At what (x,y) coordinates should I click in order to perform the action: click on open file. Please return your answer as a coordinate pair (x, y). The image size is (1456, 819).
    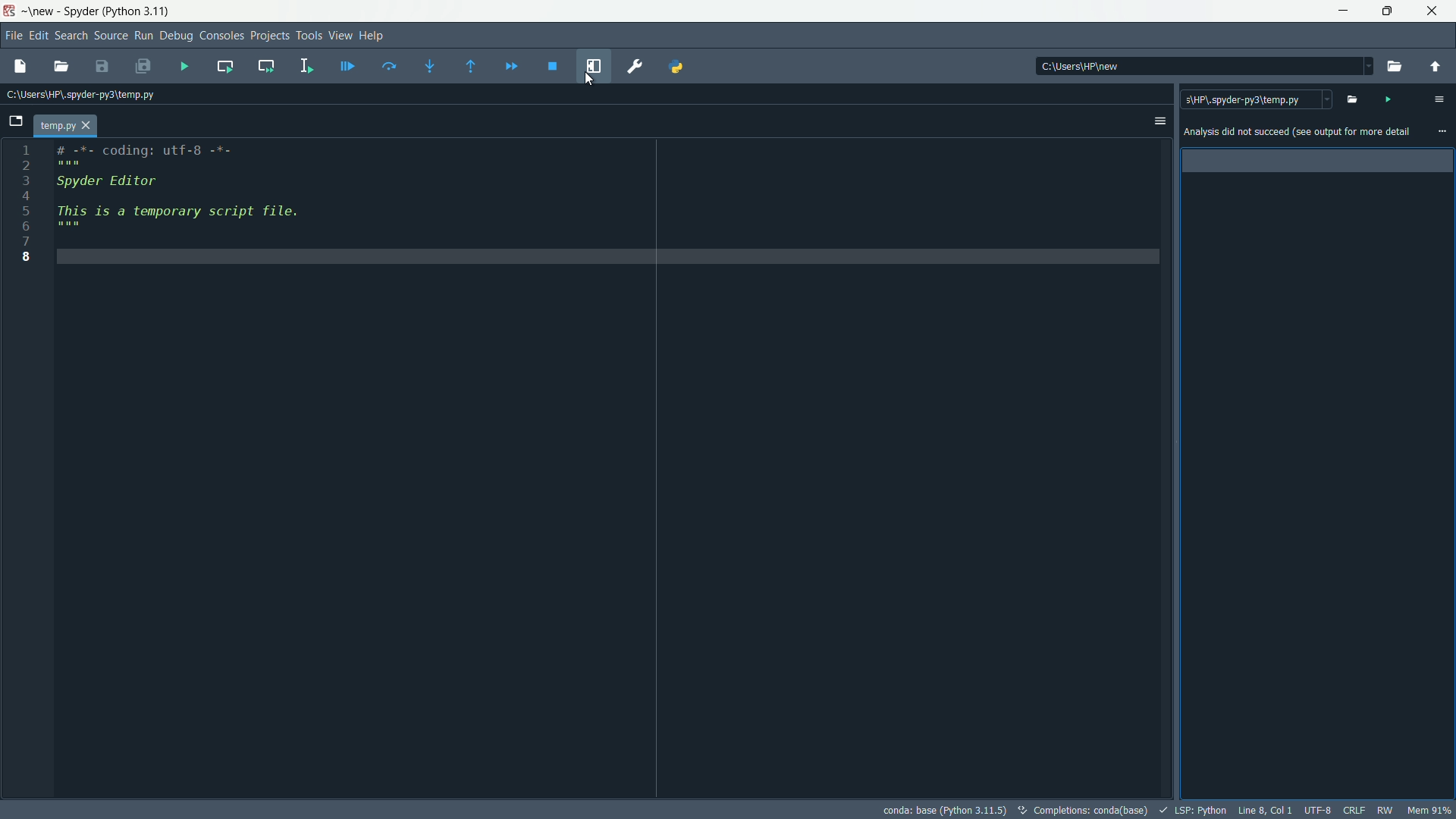
    Looking at the image, I should click on (61, 67).